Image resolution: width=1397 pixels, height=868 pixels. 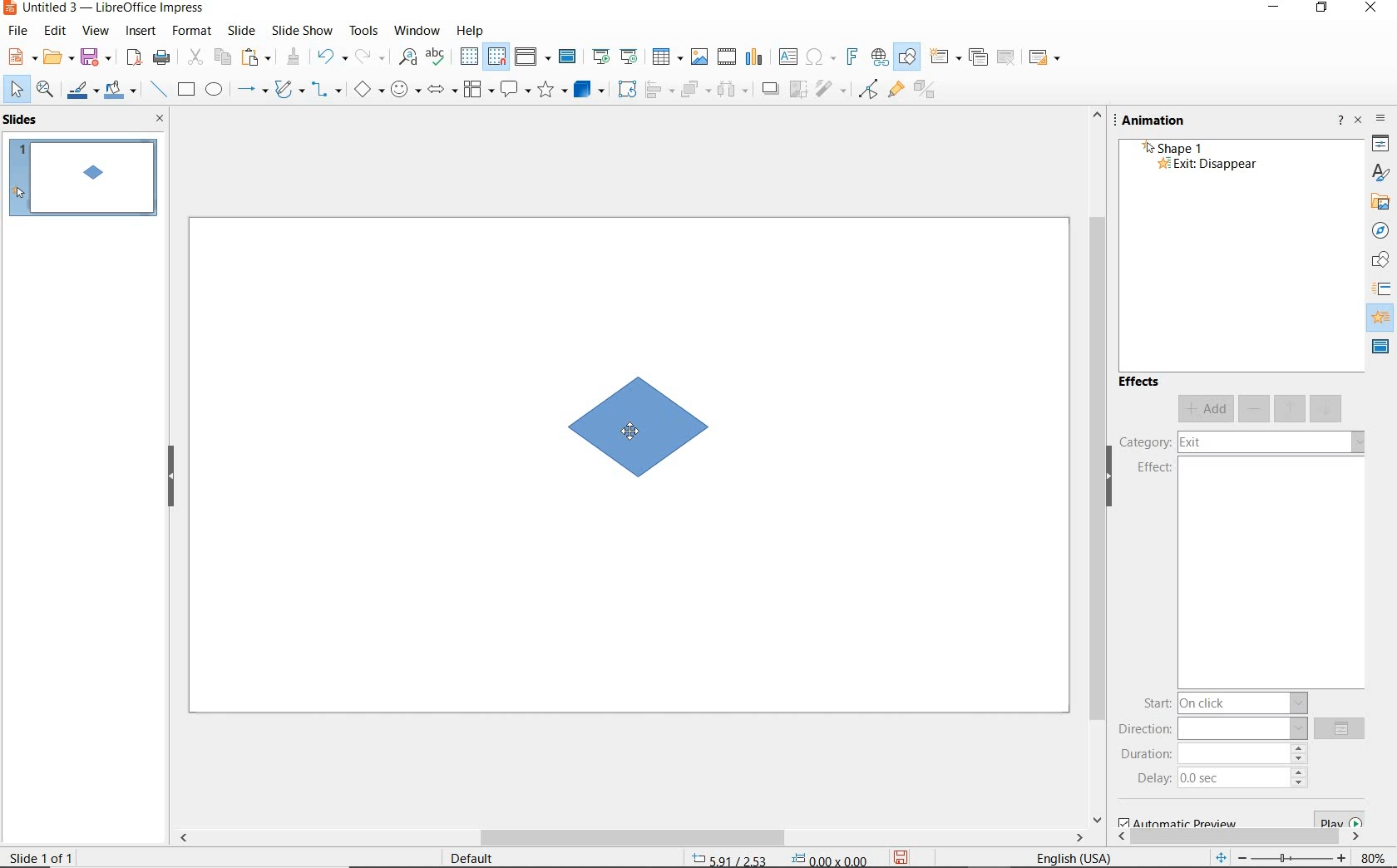 I want to click on scrollbar, so click(x=1090, y=466).